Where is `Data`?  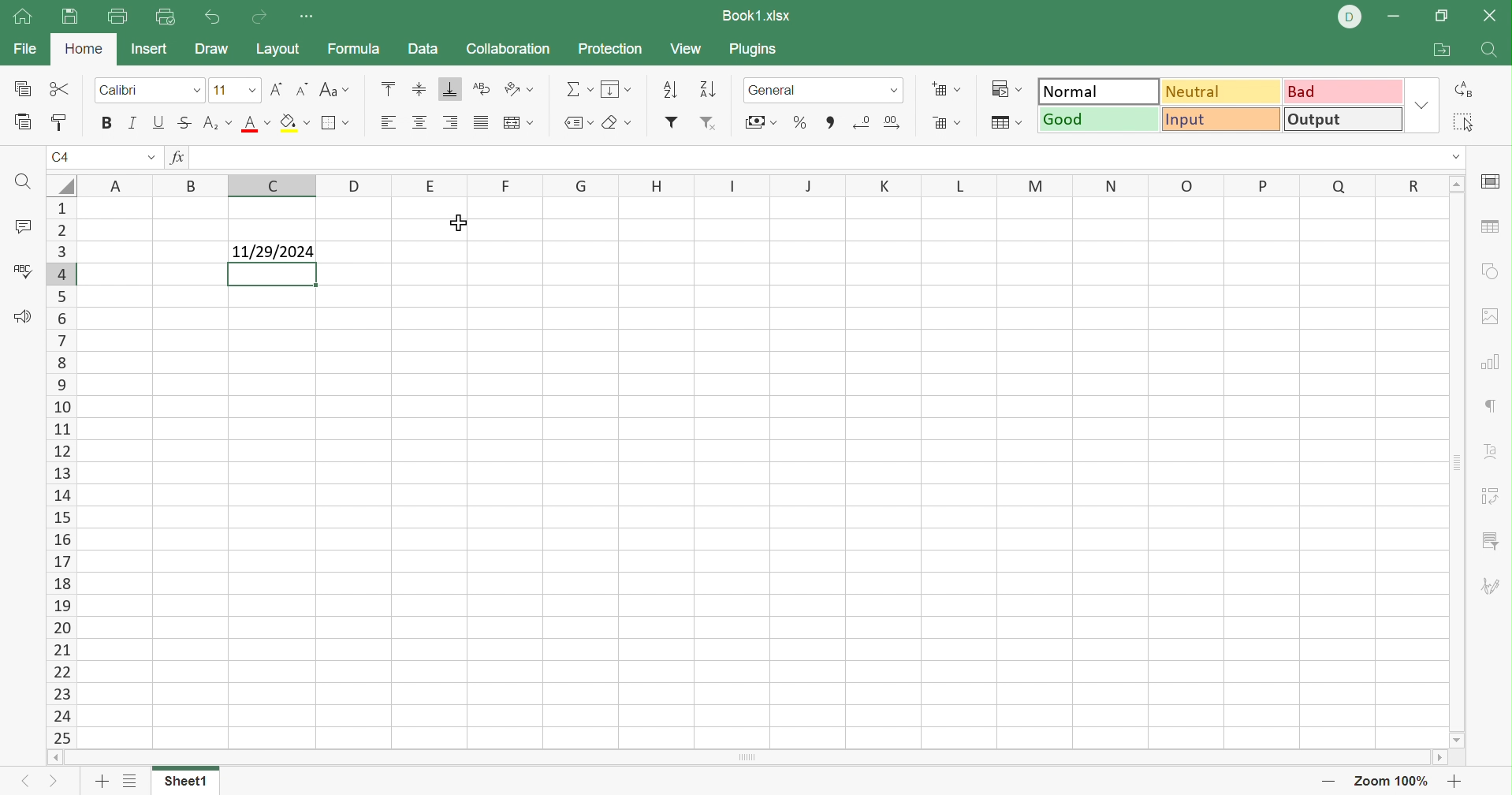
Data is located at coordinates (425, 48).